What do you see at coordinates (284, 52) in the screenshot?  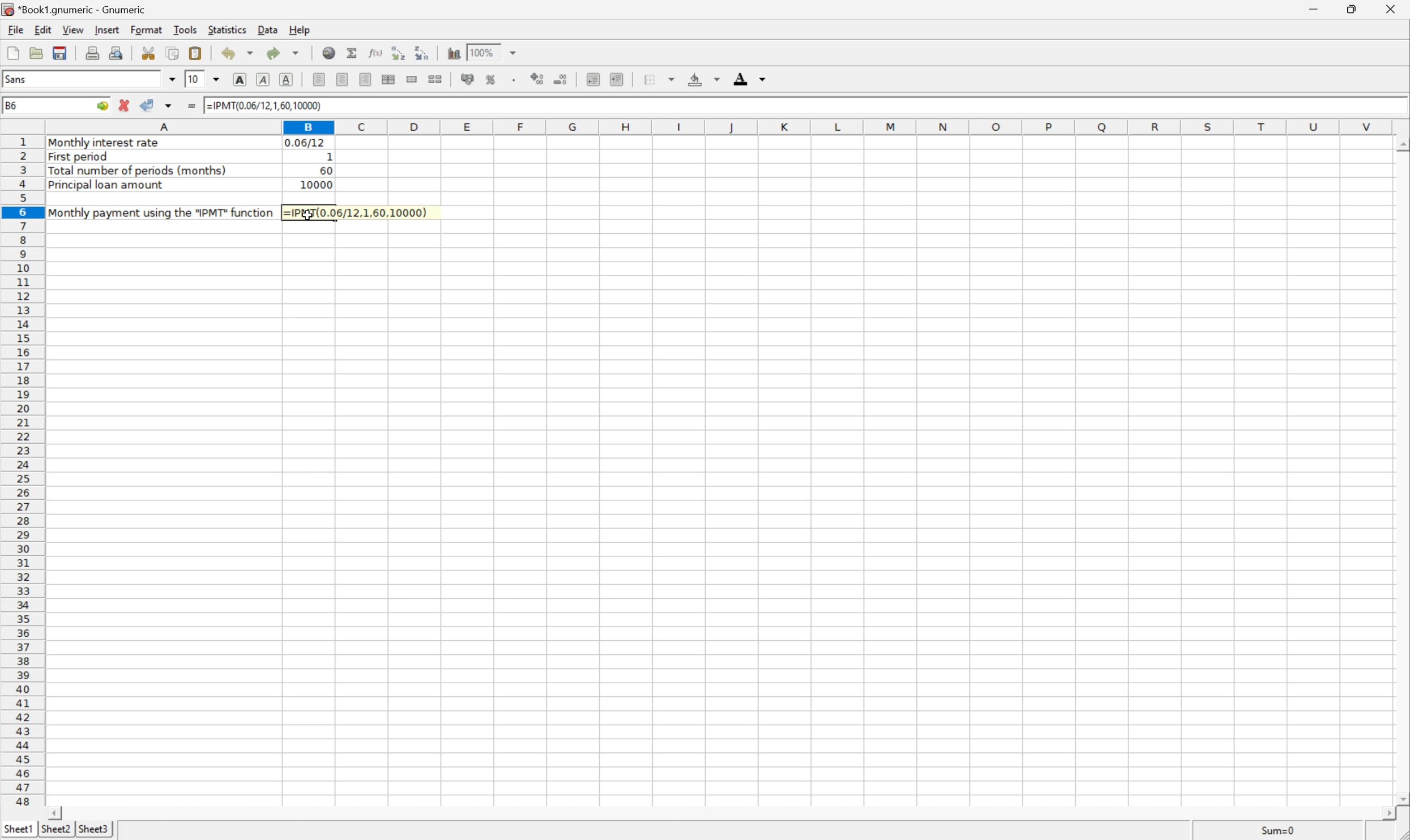 I see `Redo` at bounding box center [284, 52].